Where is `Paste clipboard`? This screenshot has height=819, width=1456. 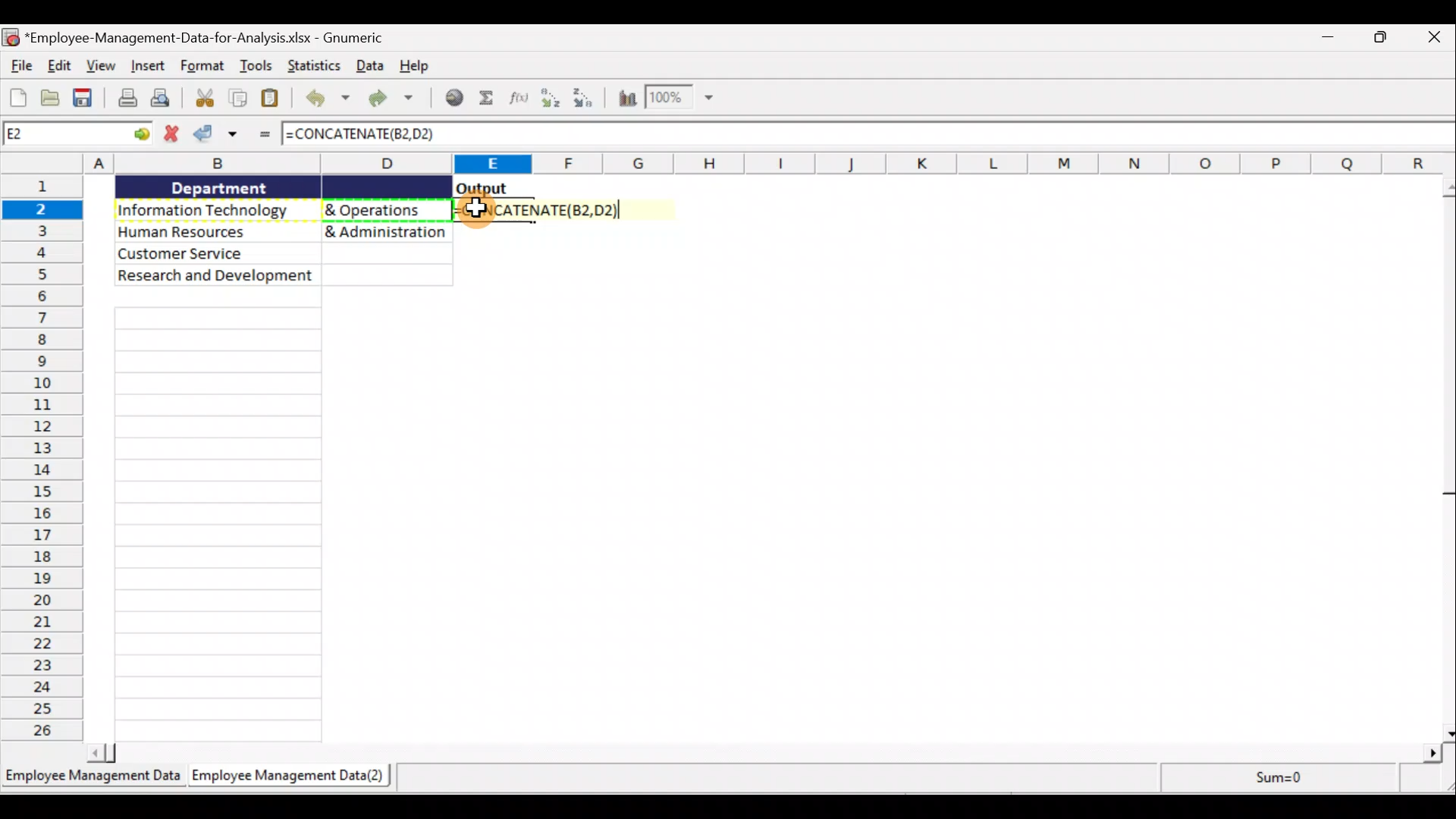 Paste clipboard is located at coordinates (272, 98).